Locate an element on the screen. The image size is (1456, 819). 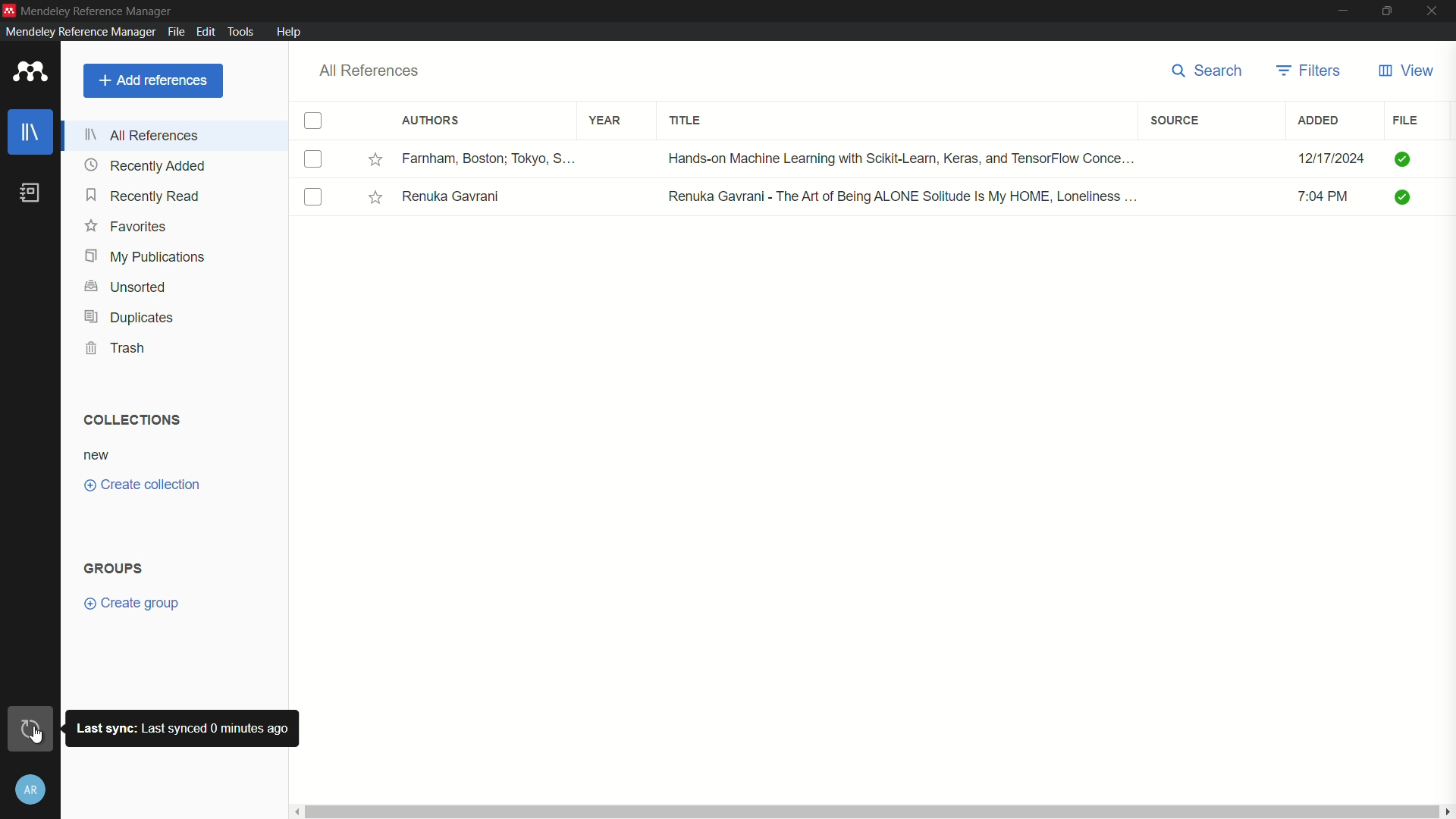
close app is located at coordinates (1435, 11).